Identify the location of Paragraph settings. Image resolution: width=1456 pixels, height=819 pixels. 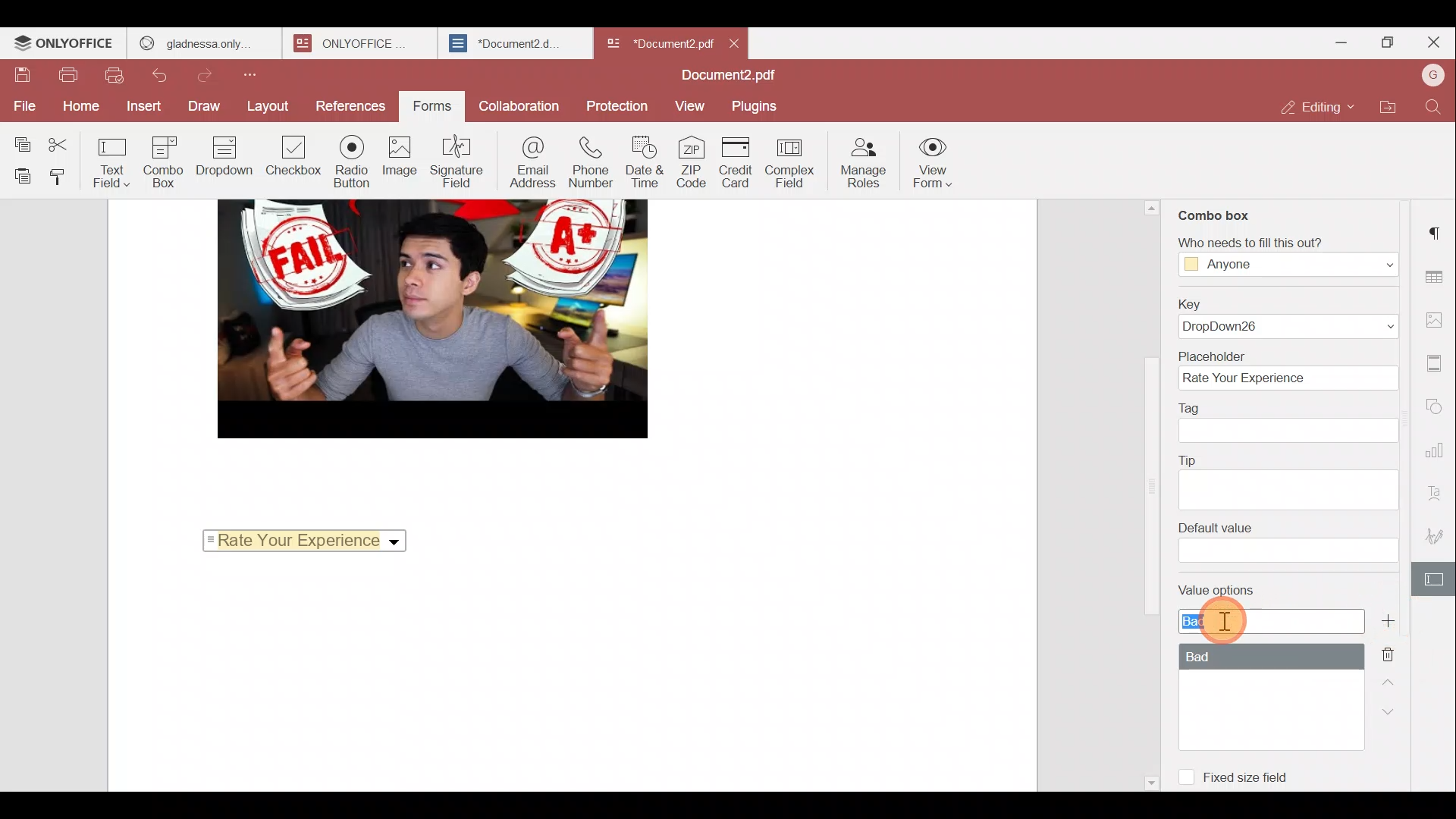
(1437, 229).